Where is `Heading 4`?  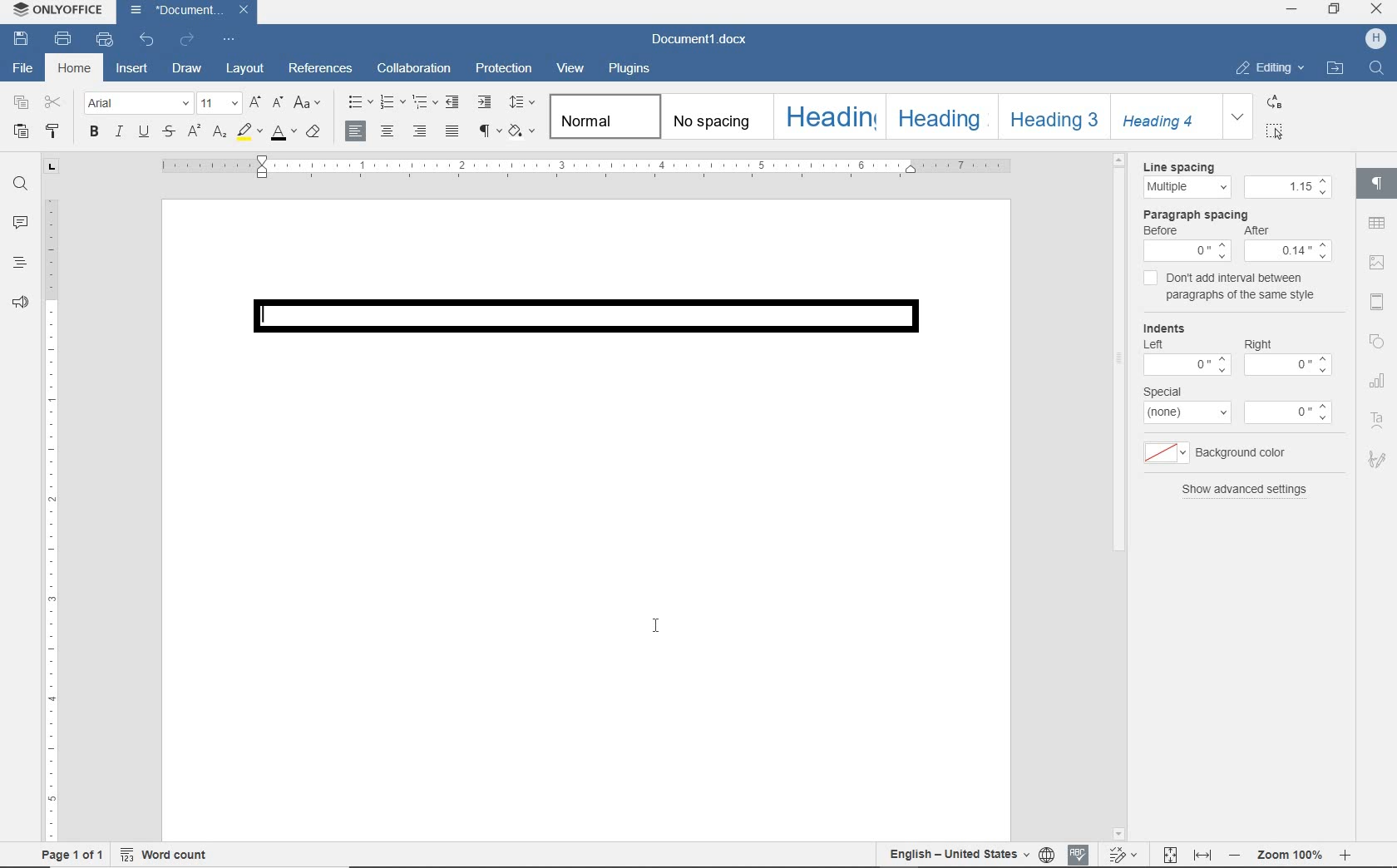 Heading 4 is located at coordinates (1166, 116).